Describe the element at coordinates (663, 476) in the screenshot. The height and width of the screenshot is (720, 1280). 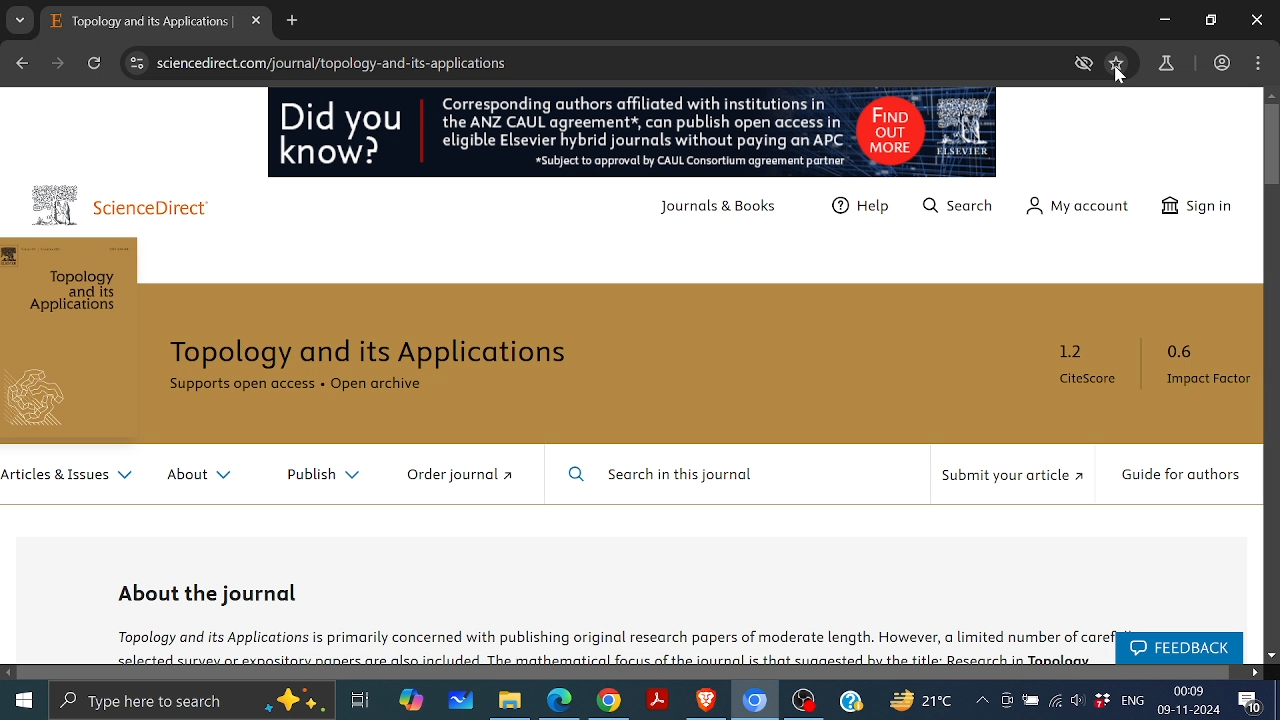
I see `search in this journal` at that location.